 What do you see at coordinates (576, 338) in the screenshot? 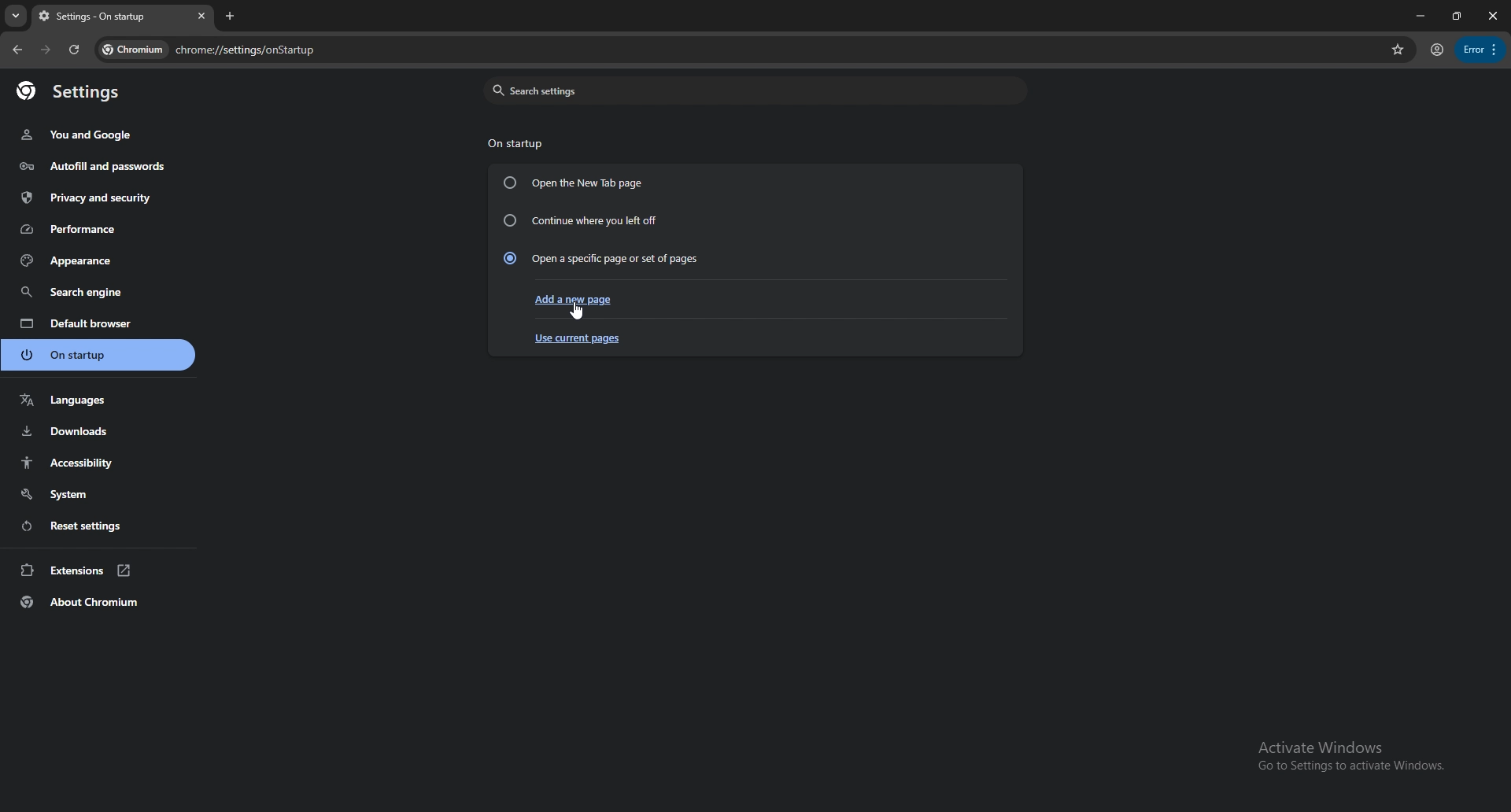
I see `use current pages` at bounding box center [576, 338].